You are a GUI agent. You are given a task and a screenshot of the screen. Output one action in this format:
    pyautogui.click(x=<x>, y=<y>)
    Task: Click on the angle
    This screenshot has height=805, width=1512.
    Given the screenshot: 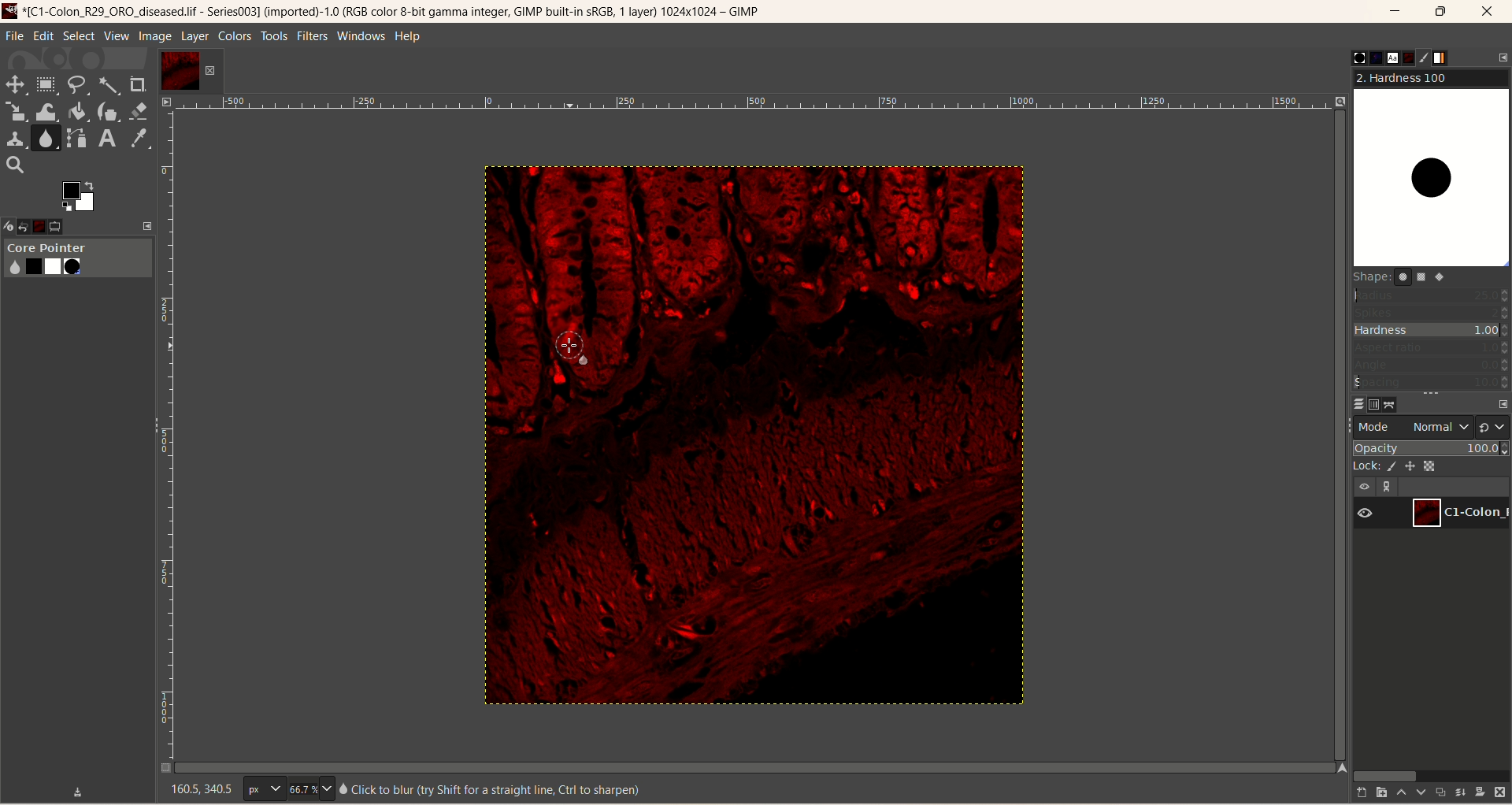 What is the action you would take?
    pyautogui.click(x=1432, y=365)
    